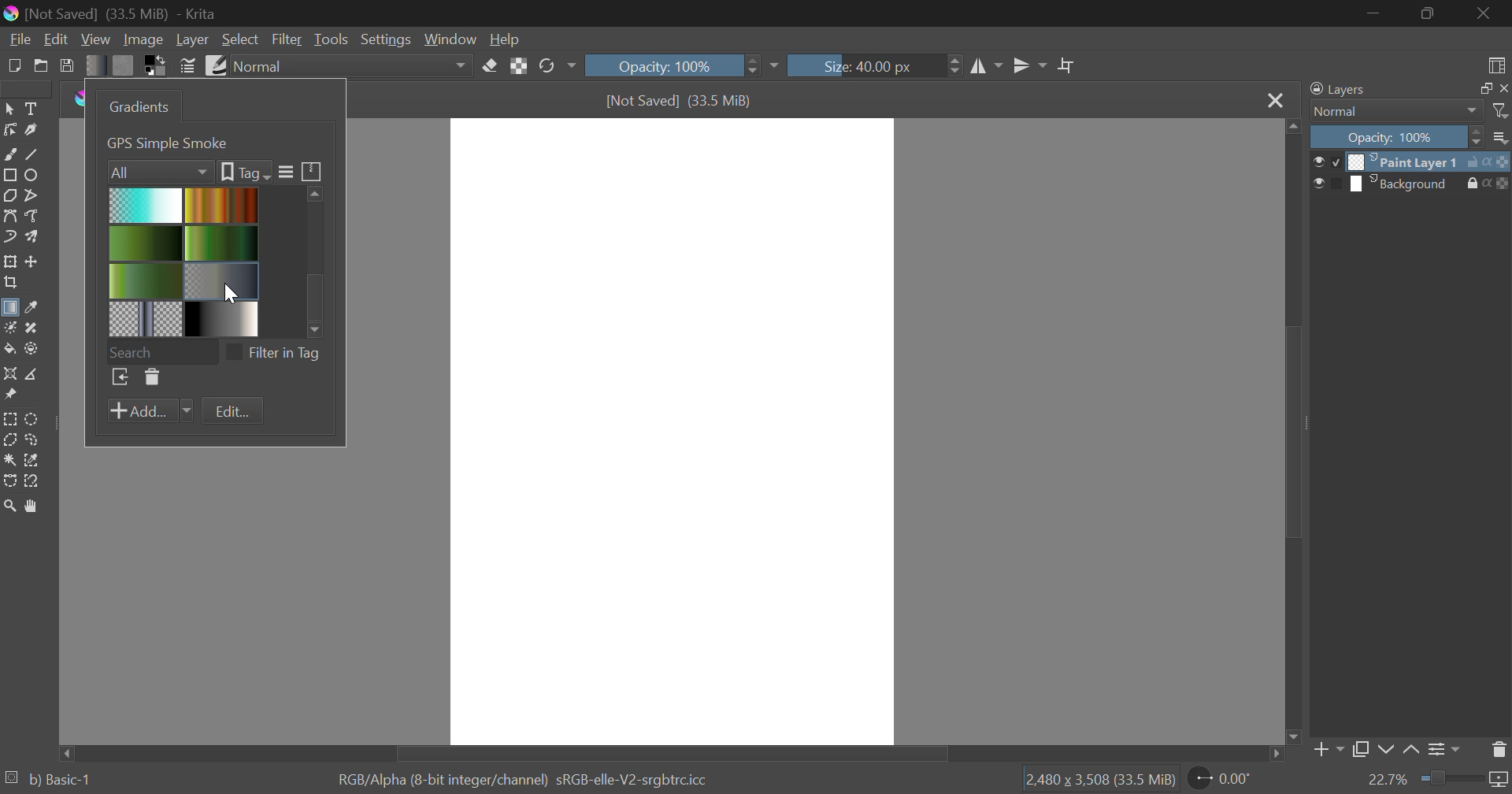  Describe the element at coordinates (528, 777) in the screenshot. I see `RGB/Alpha (8-bit integer/channel) sRGB-elle-V2-srgbtrc.icc` at that location.